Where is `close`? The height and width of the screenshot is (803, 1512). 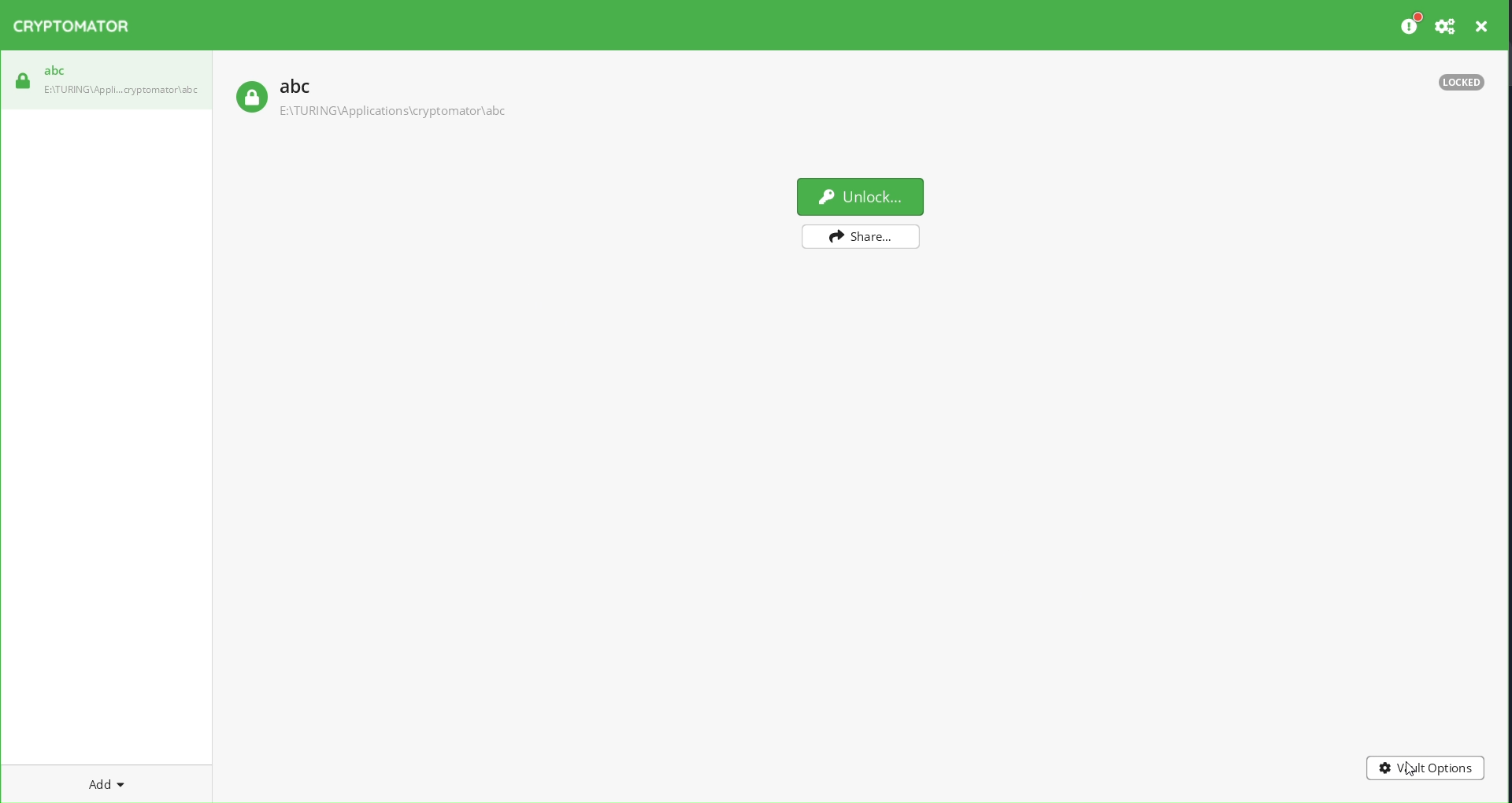 close is located at coordinates (1483, 26).